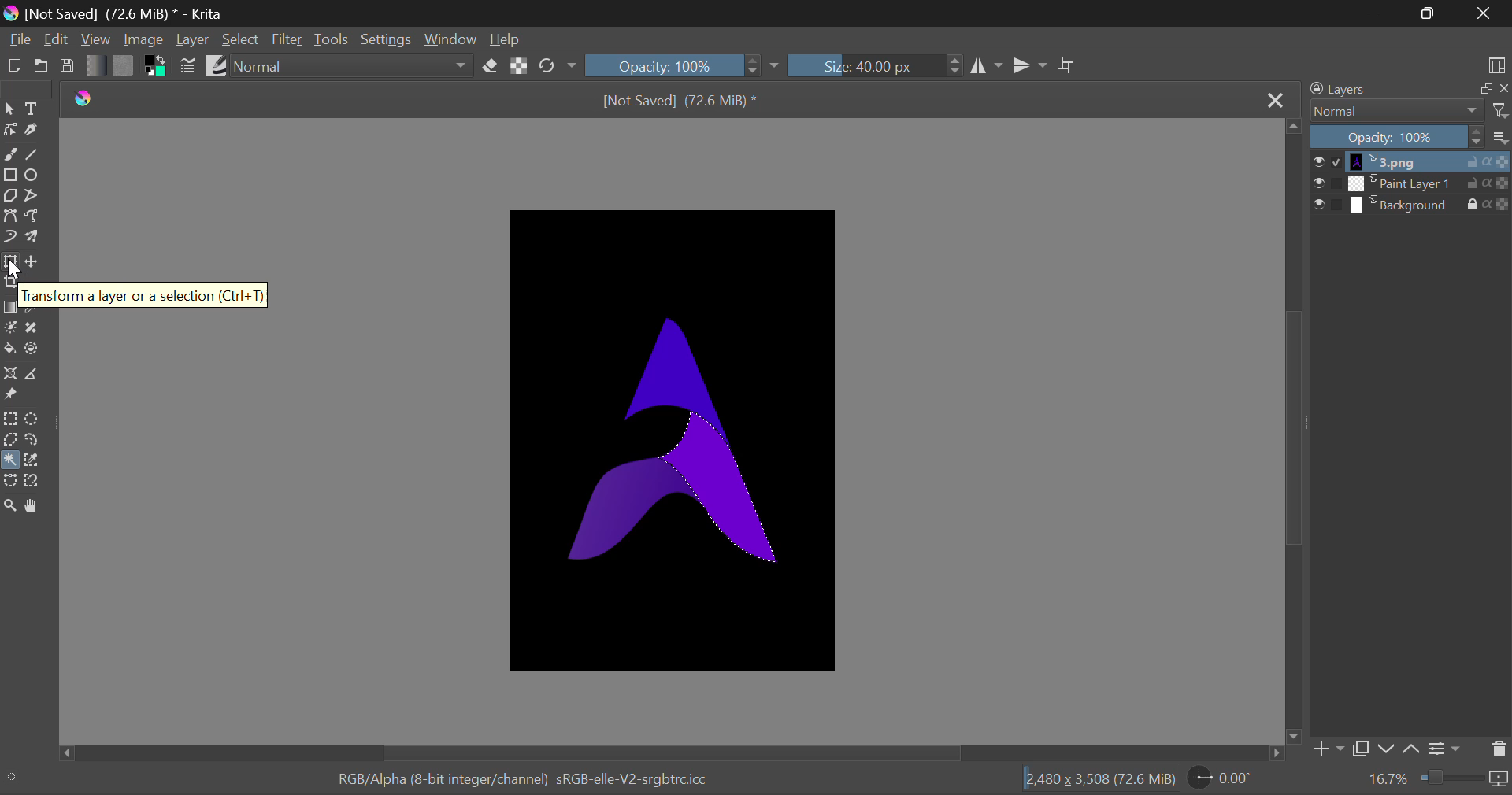 This screenshot has width=1512, height=795. I want to click on Similar Color Selection, so click(32, 460).